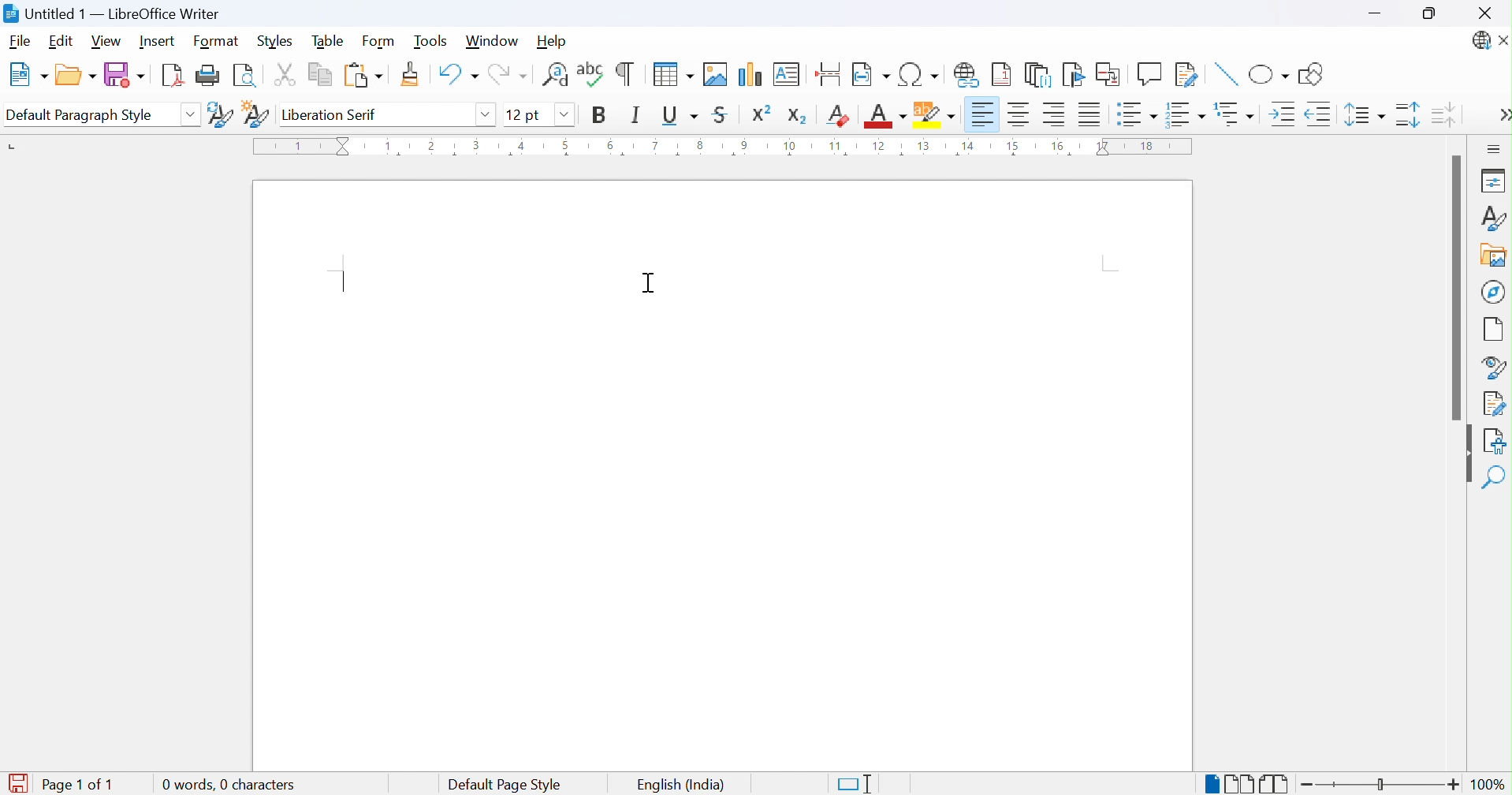 Image resolution: width=1512 pixels, height=795 pixels. Describe the element at coordinates (27, 75) in the screenshot. I see `New` at that location.